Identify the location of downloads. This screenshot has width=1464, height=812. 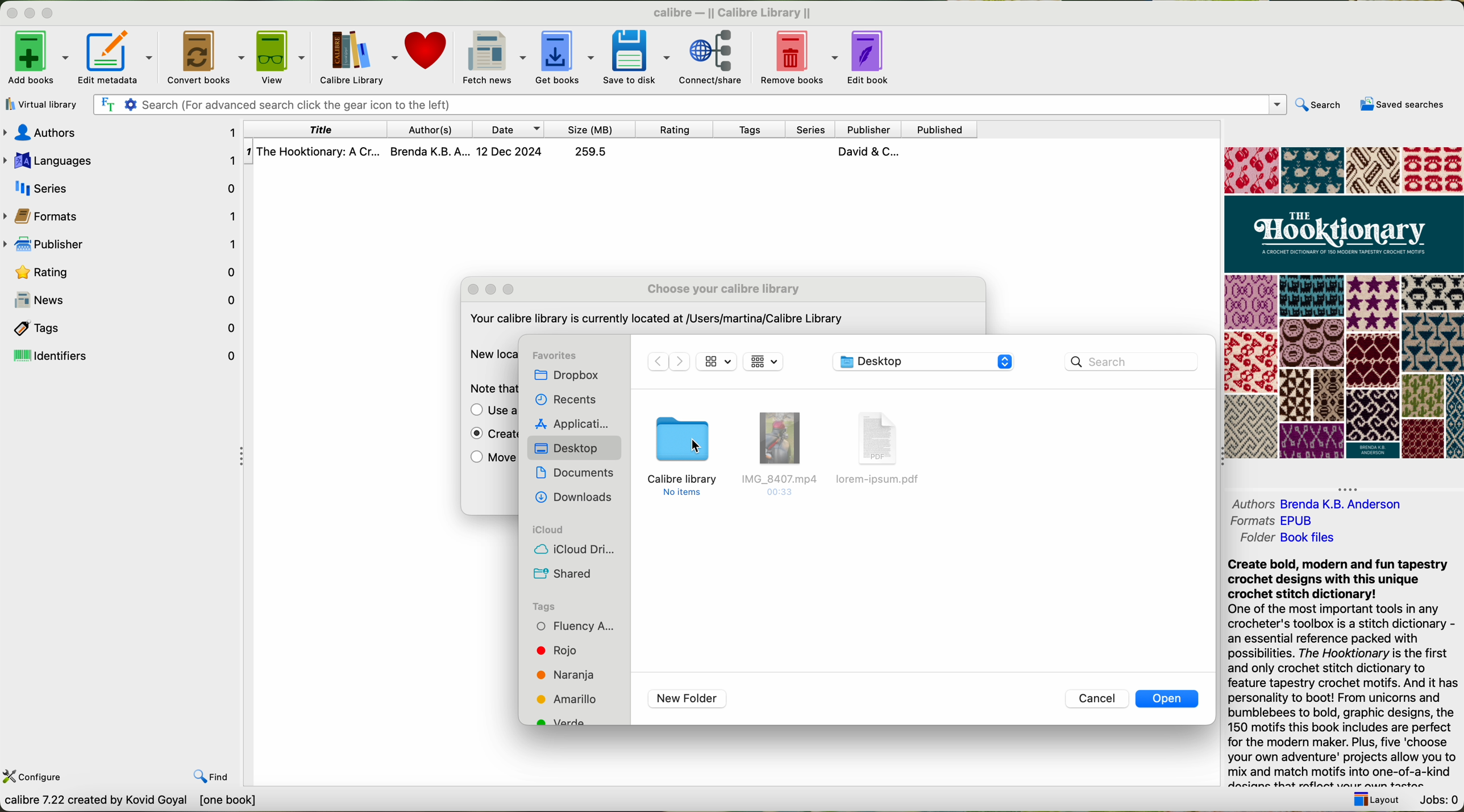
(570, 498).